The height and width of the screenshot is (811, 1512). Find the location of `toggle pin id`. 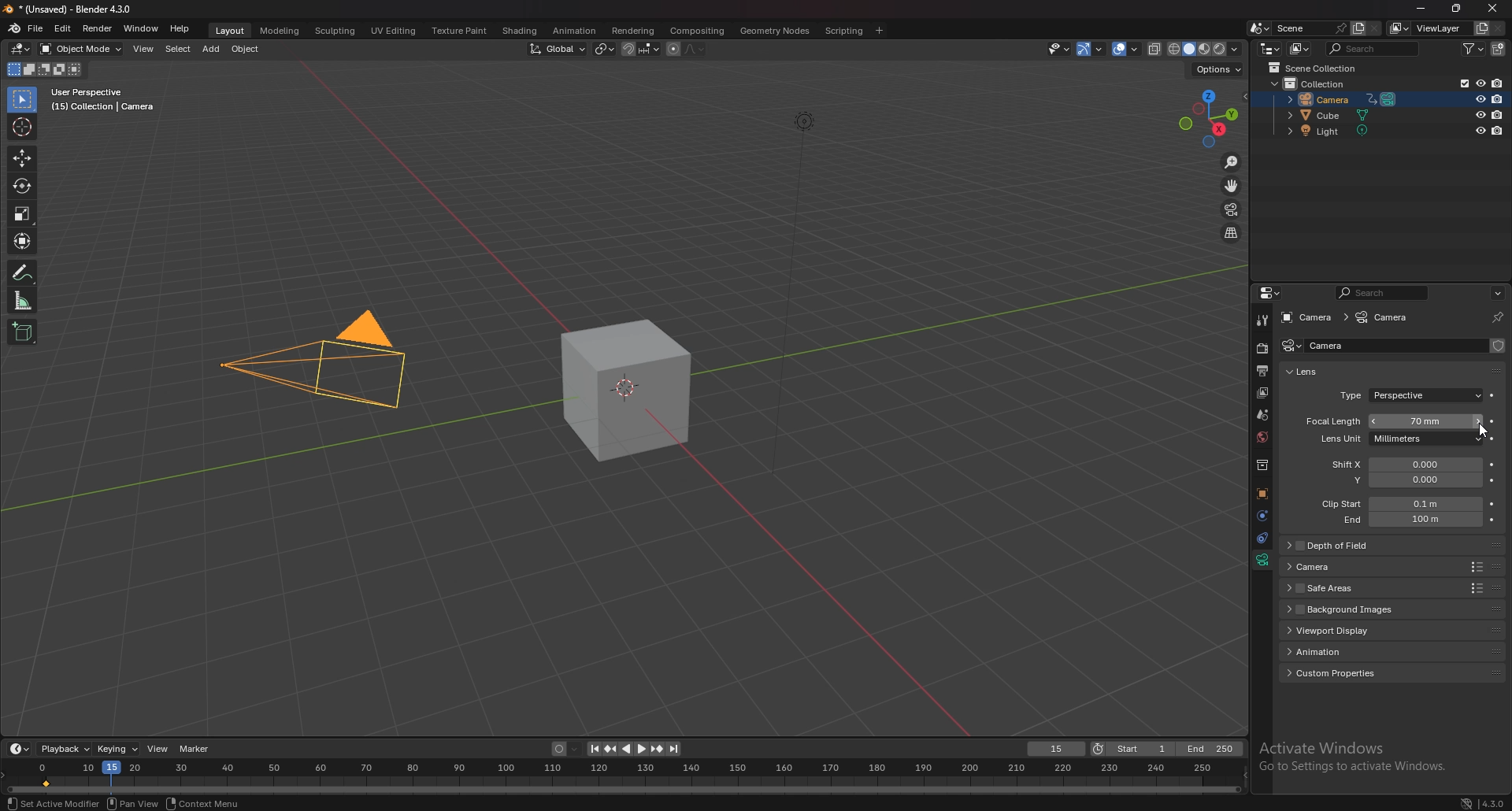

toggle pin id is located at coordinates (1495, 318).